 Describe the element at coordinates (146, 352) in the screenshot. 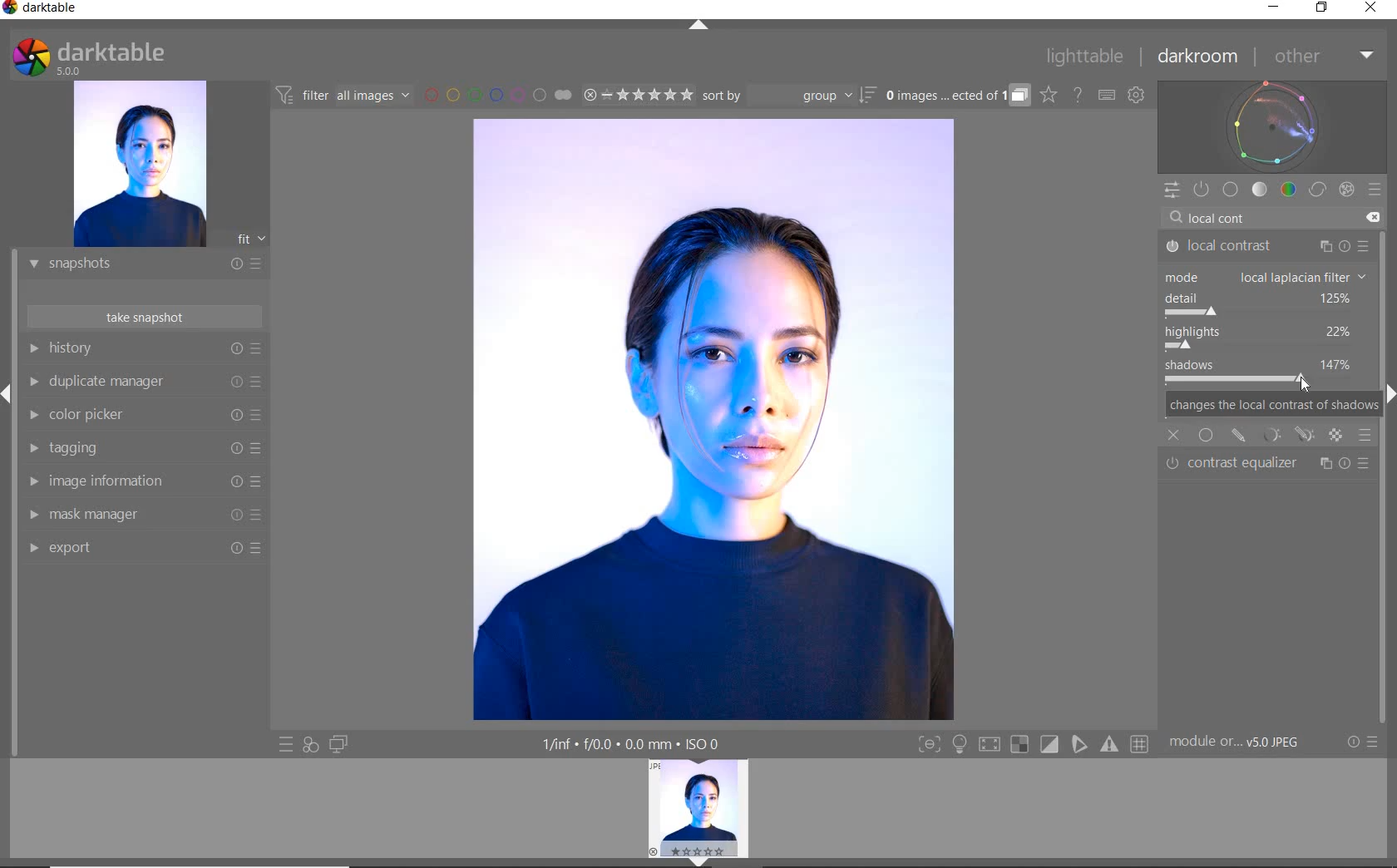

I see `HISTORY` at that location.